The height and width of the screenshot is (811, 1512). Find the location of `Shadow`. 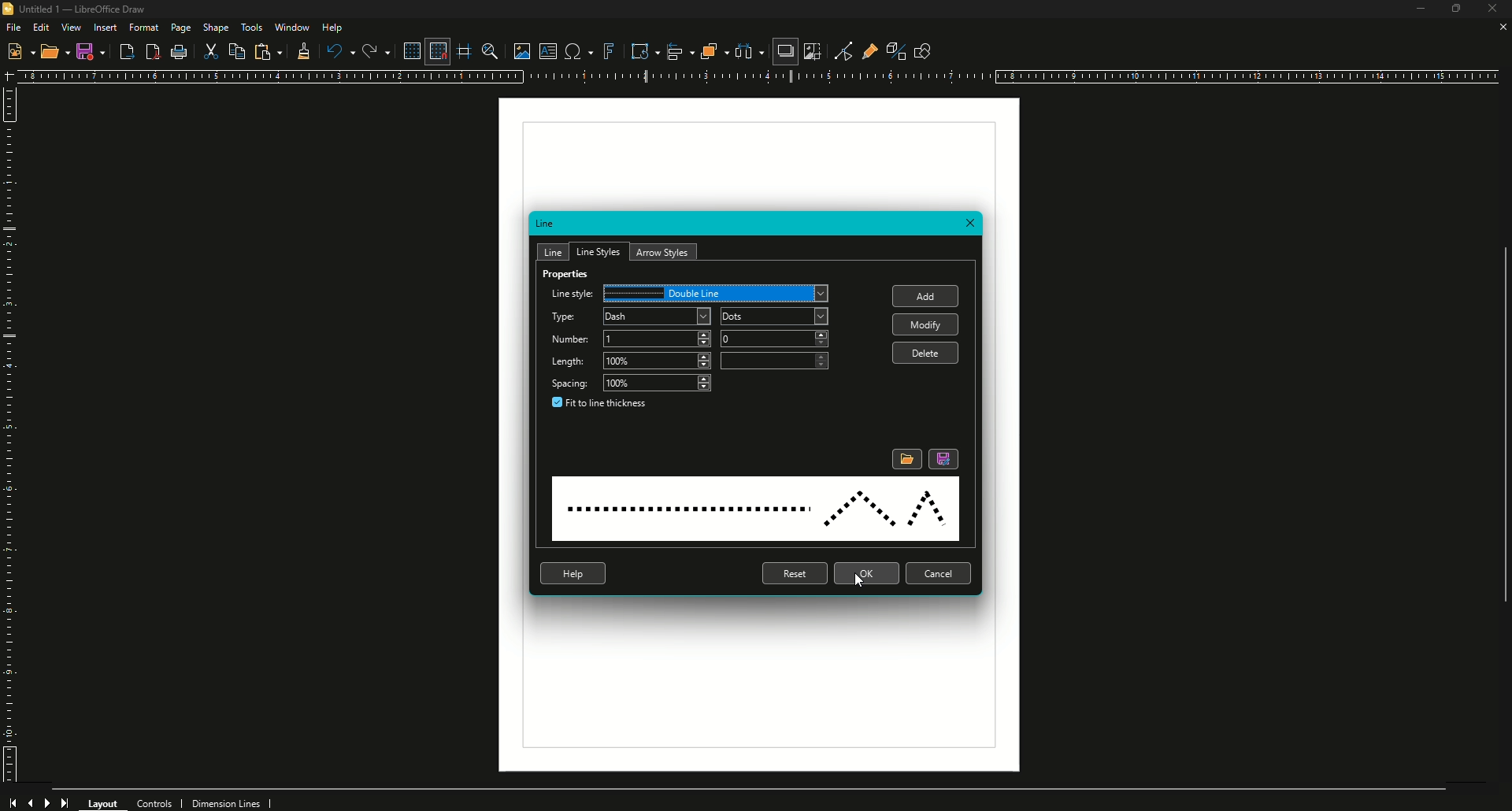

Shadow is located at coordinates (784, 53).